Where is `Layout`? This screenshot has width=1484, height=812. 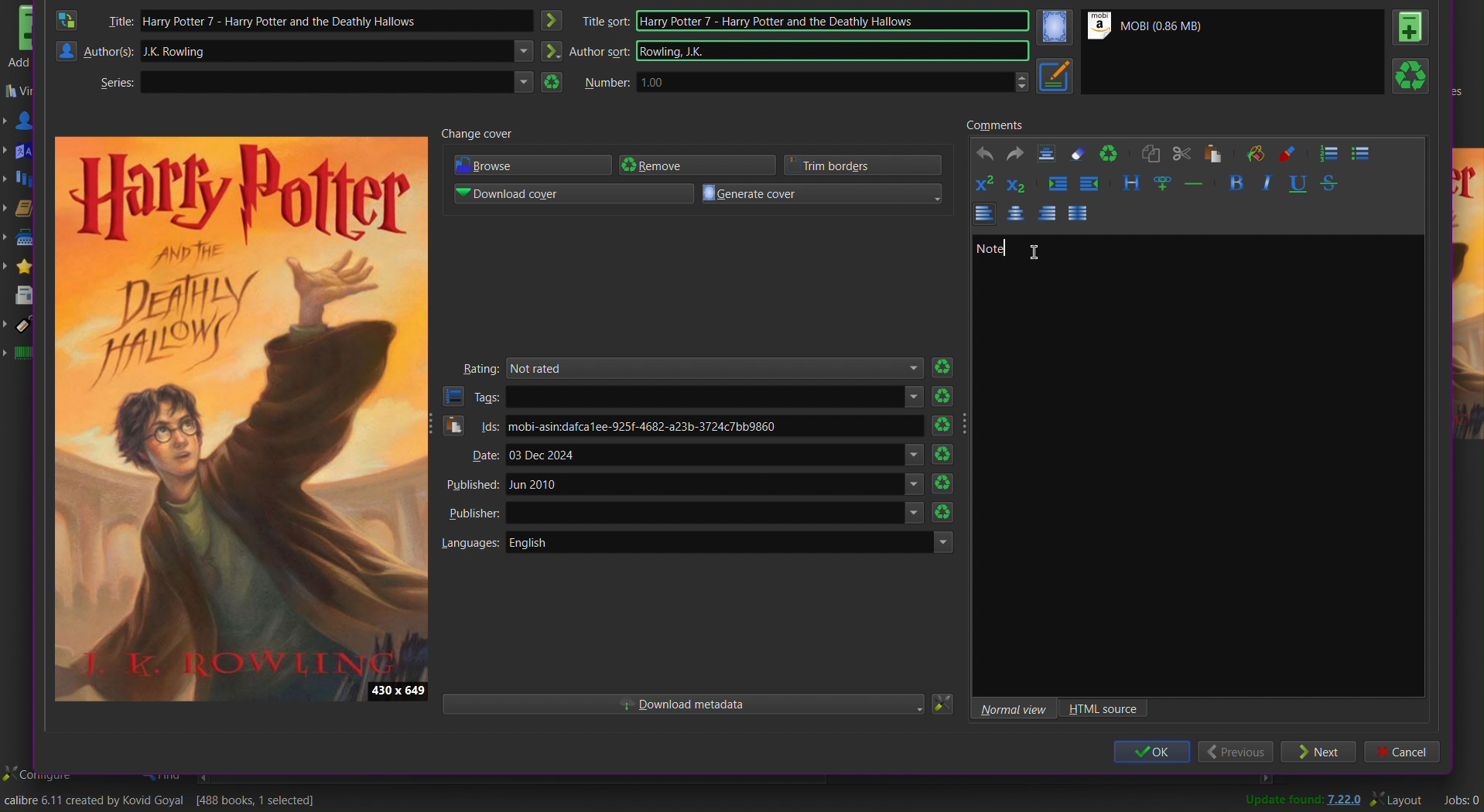 Layout is located at coordinates (1401, 800).